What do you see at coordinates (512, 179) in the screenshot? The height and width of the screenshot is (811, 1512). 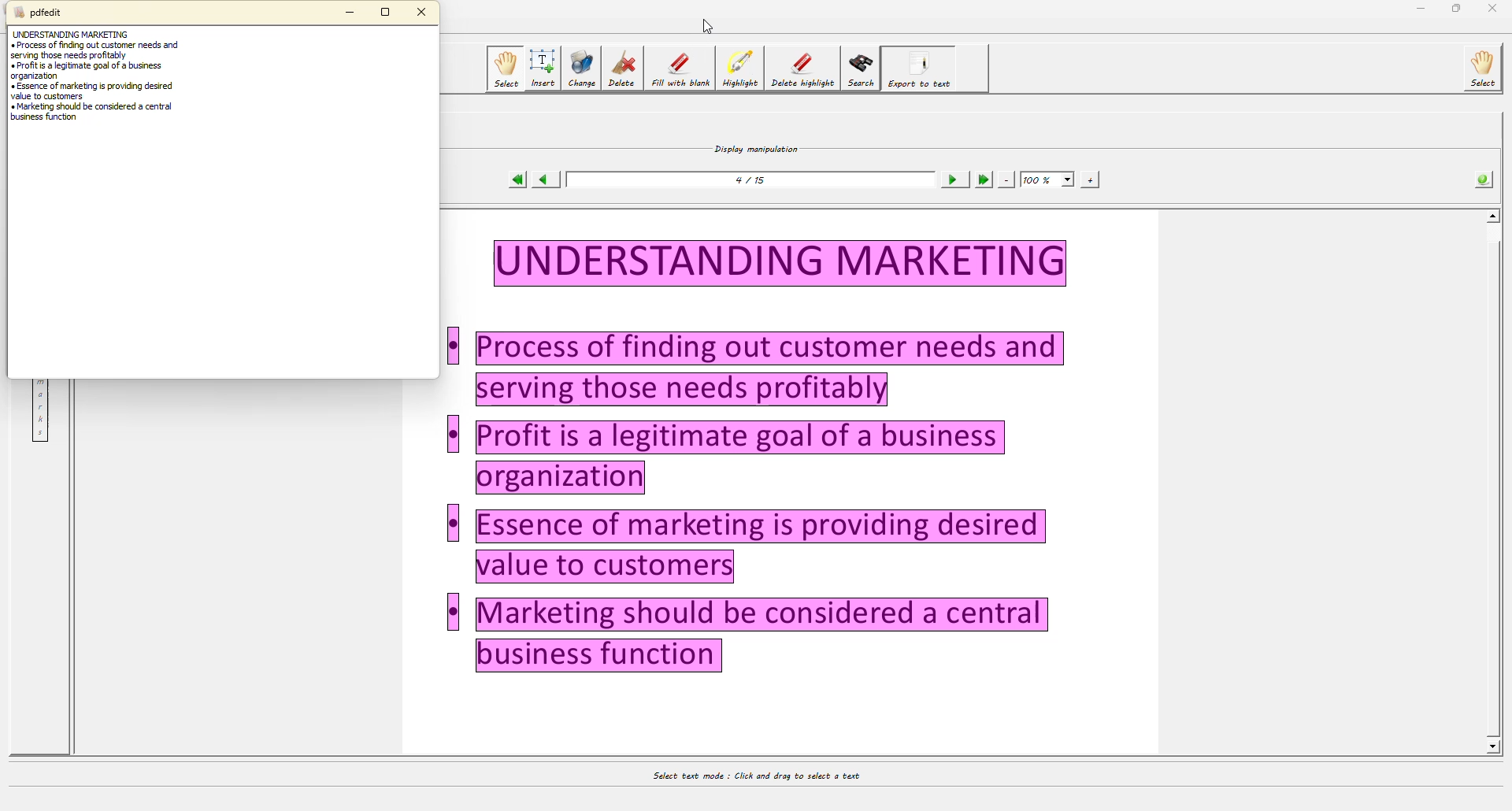 I see `first page` at bounding box center [512, 179].